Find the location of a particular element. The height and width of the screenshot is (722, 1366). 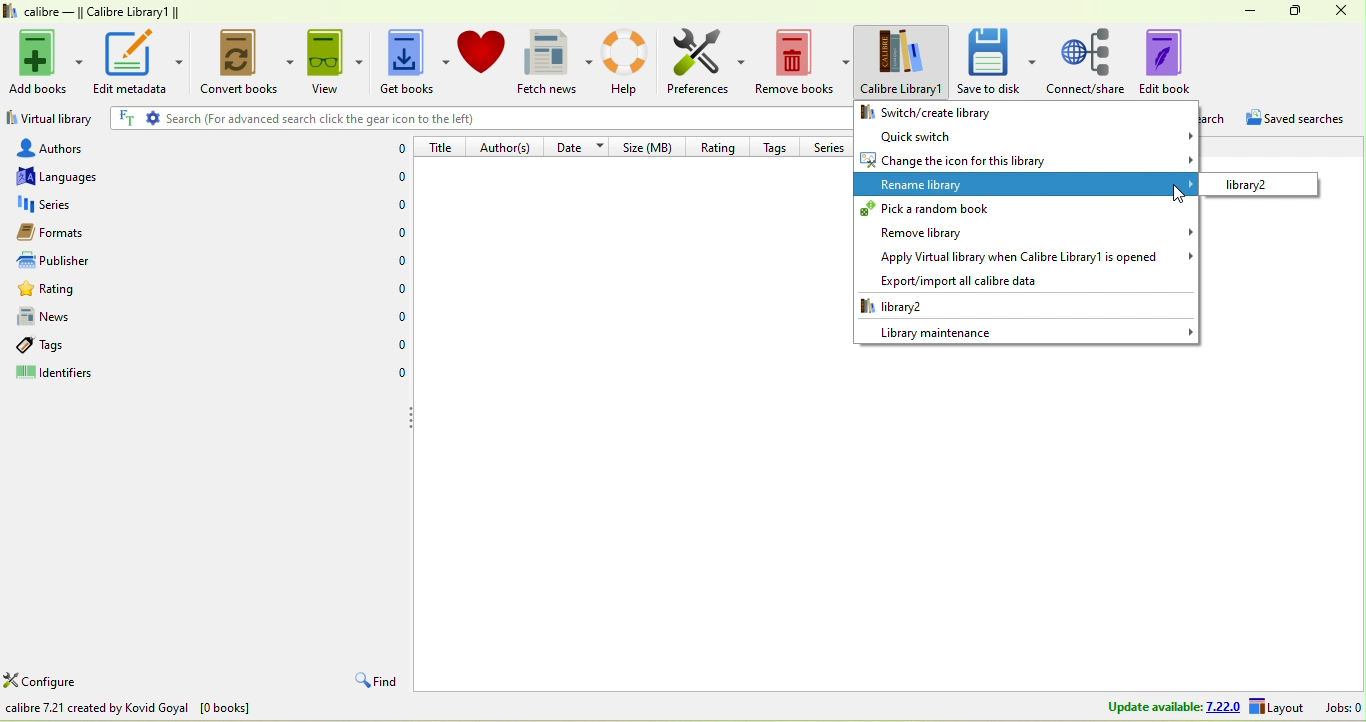

search (for advanced search click the gear icon to the left is located at coordinates (474, 118).